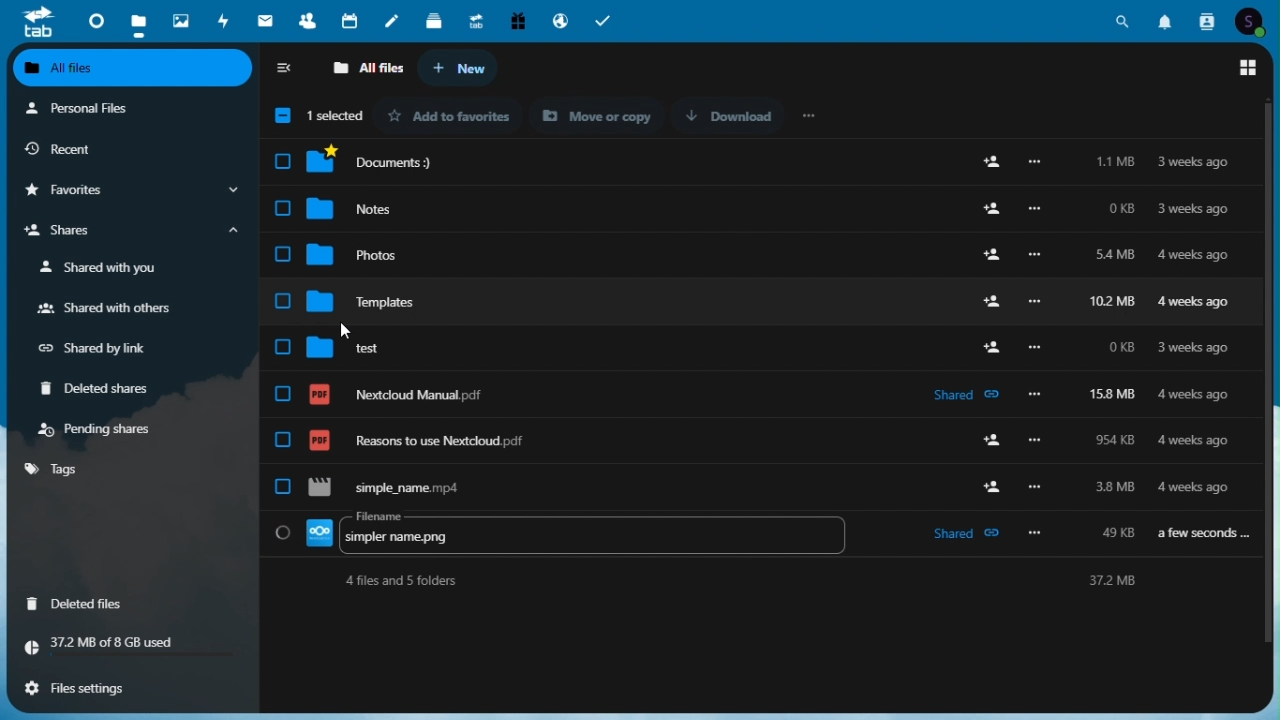 This screenshot has height=720, width=1280. I want to click on Search , so click(1123, 18).